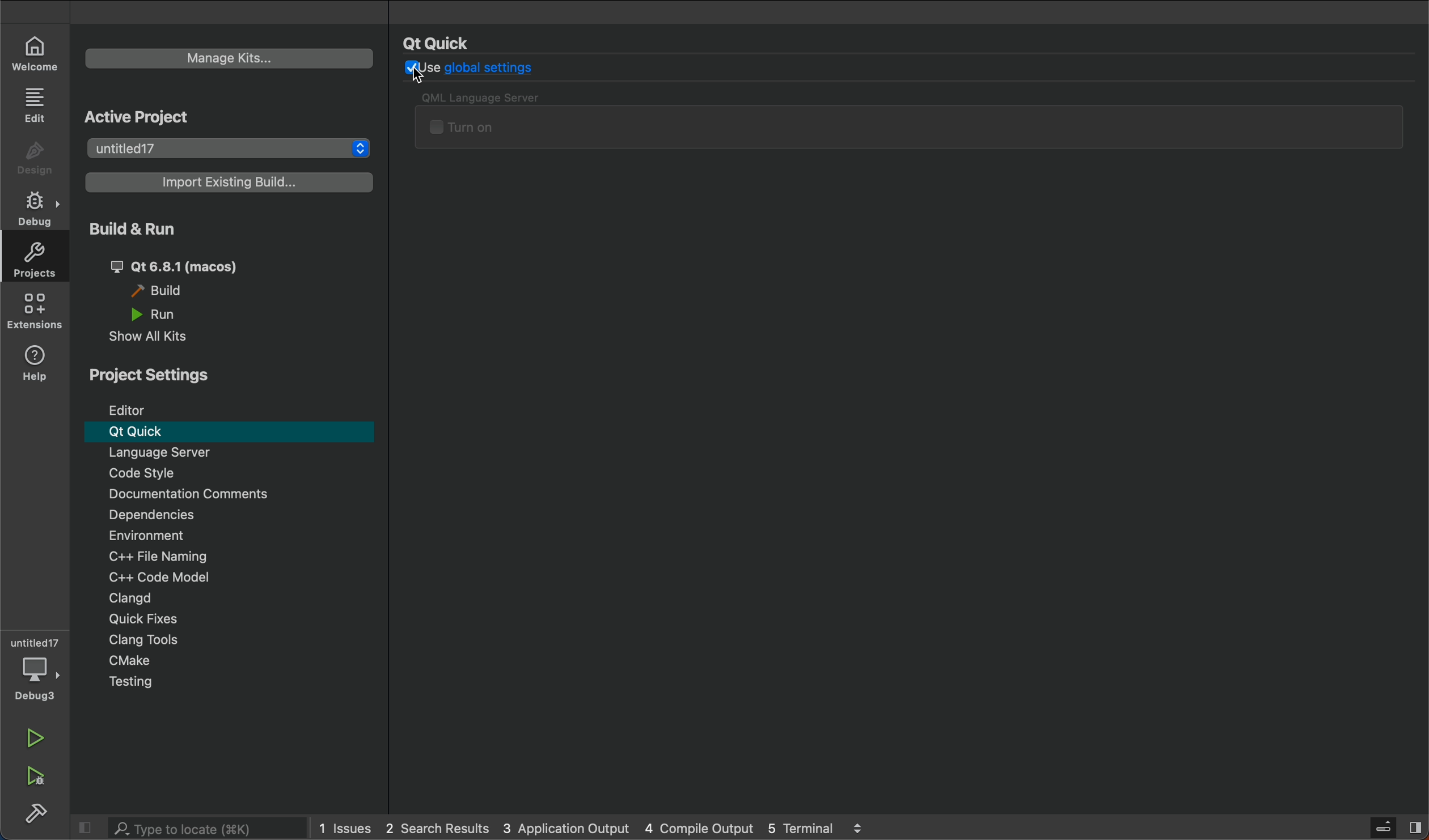 The height and width of the screenshot is (840, 1429). Describe the element at coordinates (1394, 826) in the screenshot. I see `sidebat toggle ` at that location.